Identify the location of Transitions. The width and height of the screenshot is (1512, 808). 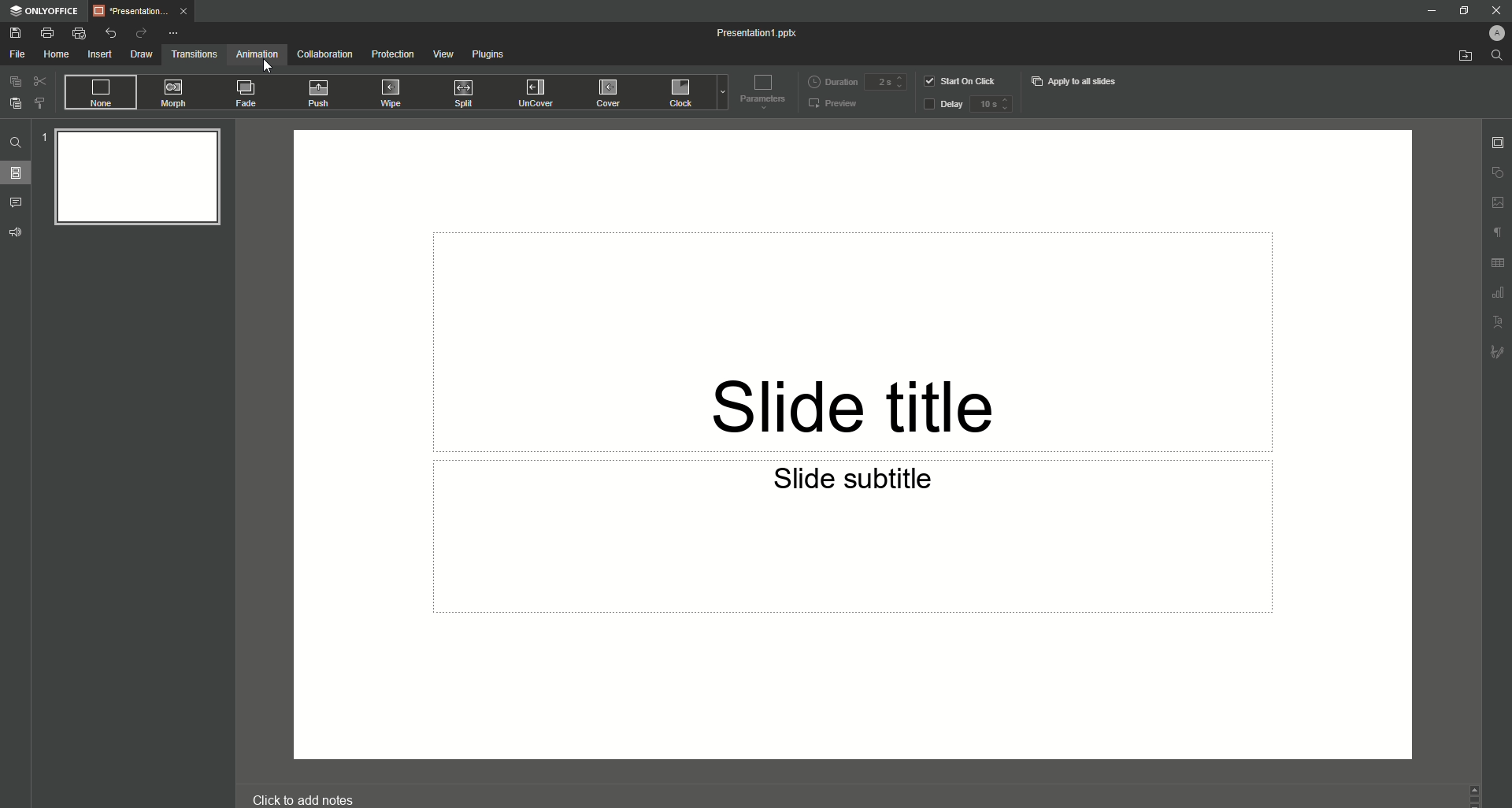
(191, 55).